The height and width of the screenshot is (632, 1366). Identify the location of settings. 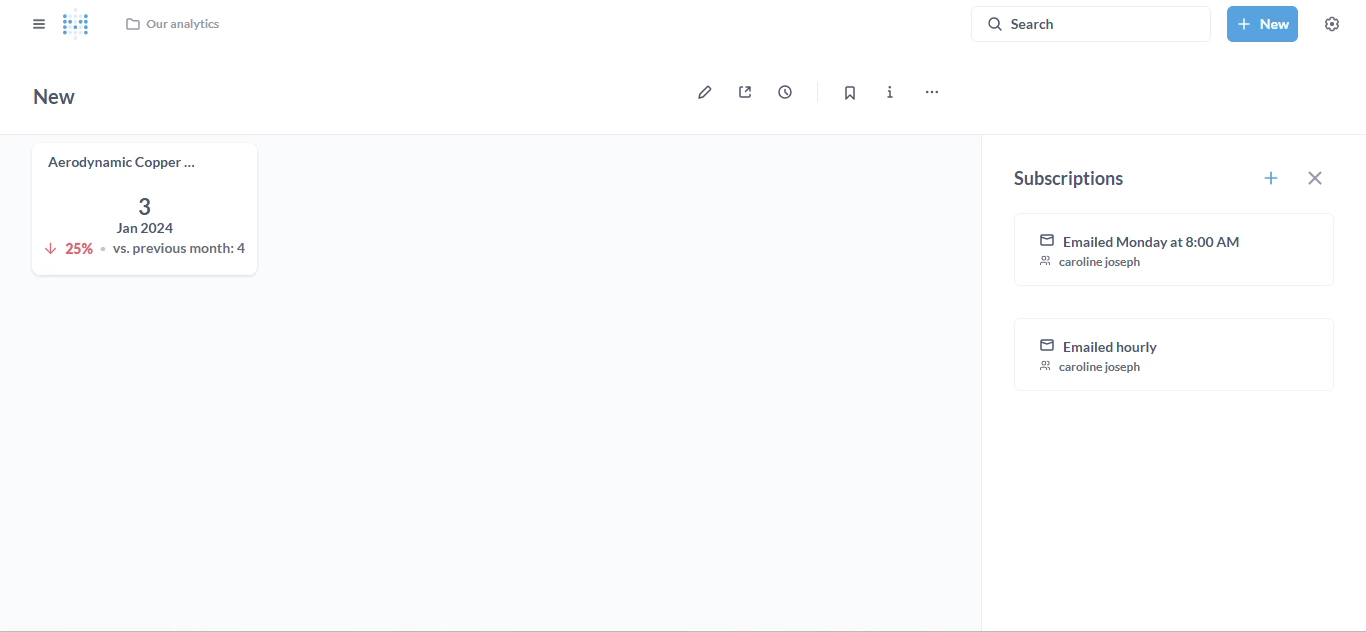
(1332, 24).